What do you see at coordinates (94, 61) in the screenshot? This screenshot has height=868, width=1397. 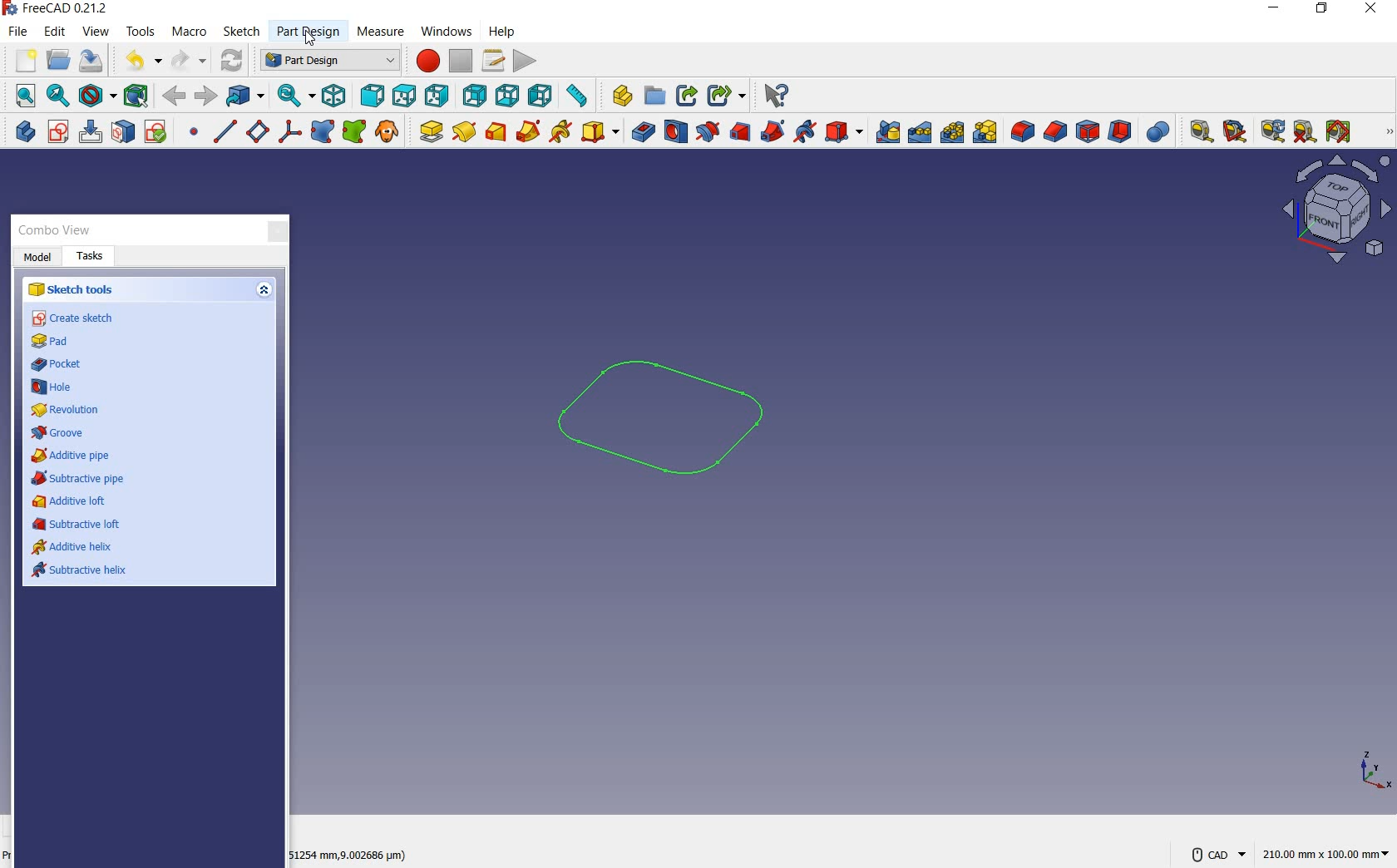 I see `save` at bounding box center [94, 61].